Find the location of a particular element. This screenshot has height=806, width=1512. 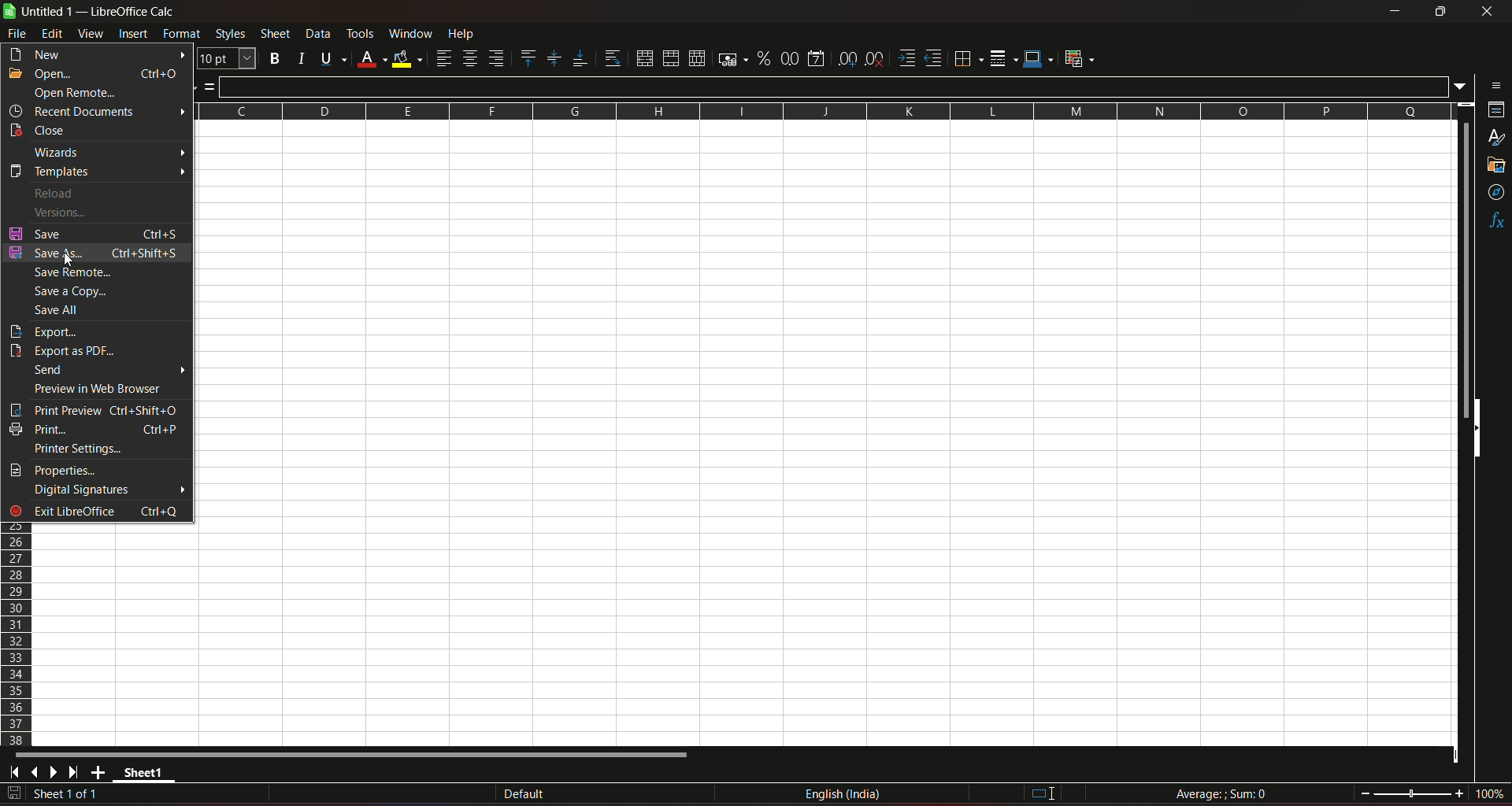

save is located at coordinates (14, 793).